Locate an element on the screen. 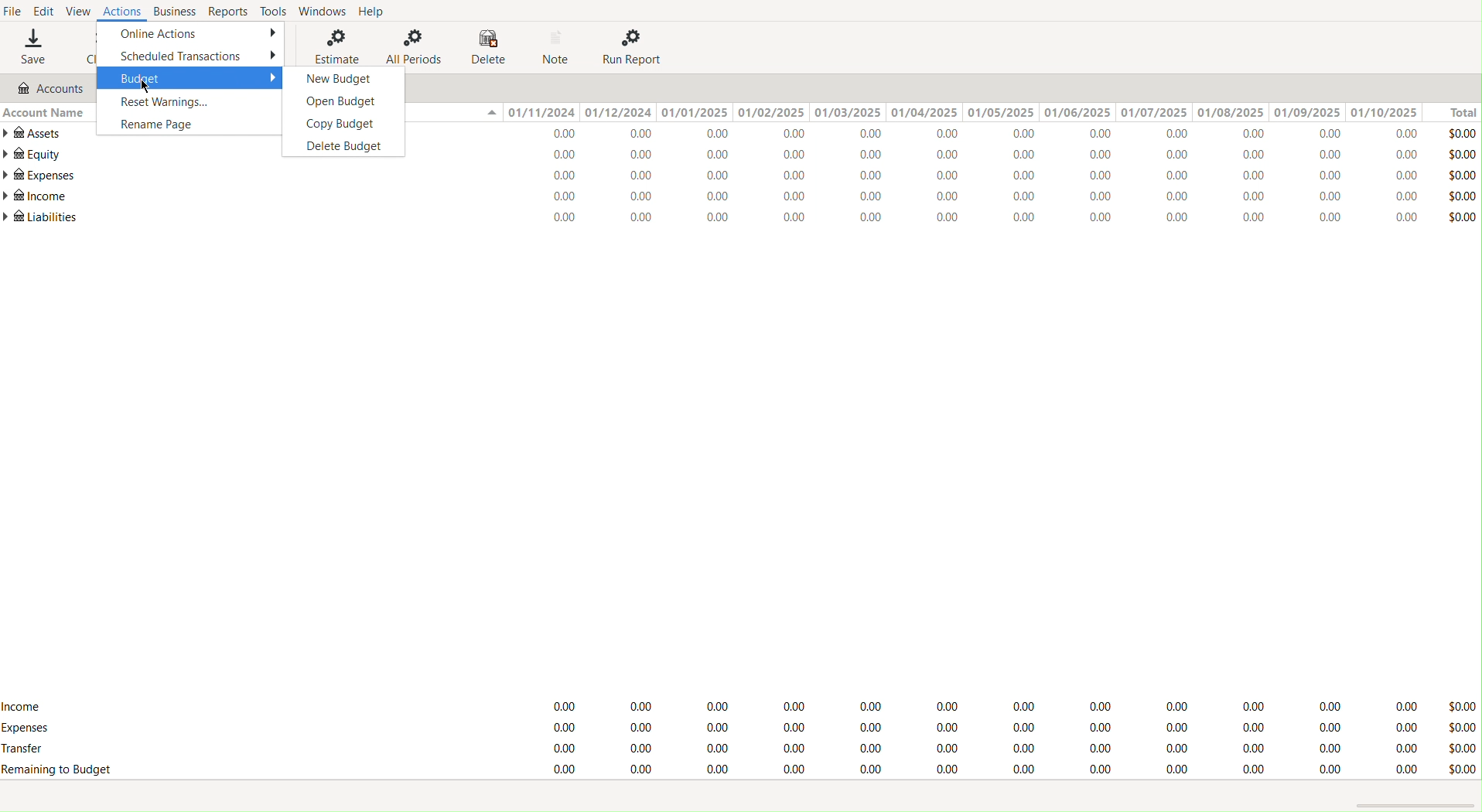 The width and height of the screenshot is (1482, 812). Income is located at coordinates (984, 198).